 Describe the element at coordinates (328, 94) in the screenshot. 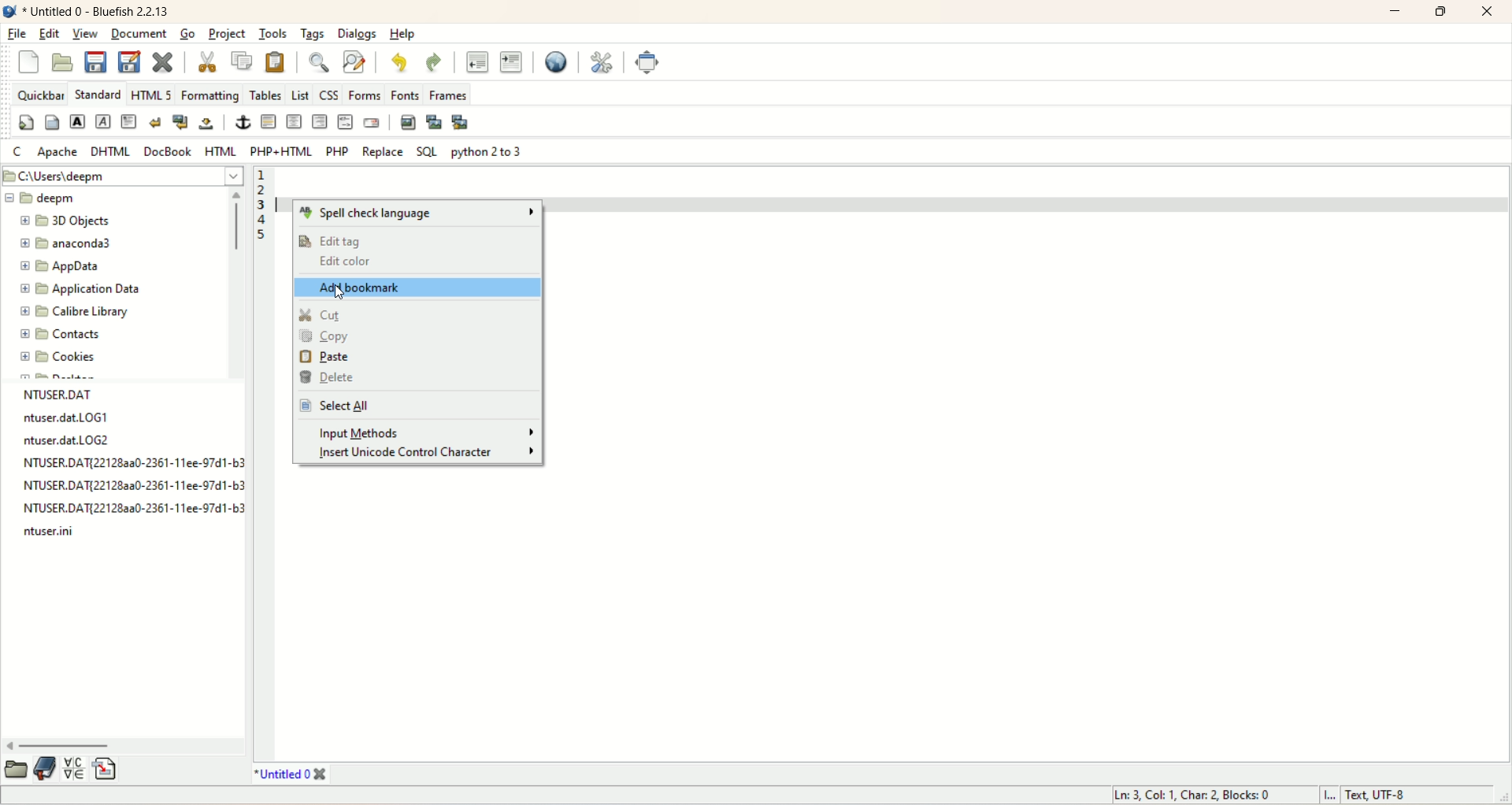

I see `CSS` at that location.